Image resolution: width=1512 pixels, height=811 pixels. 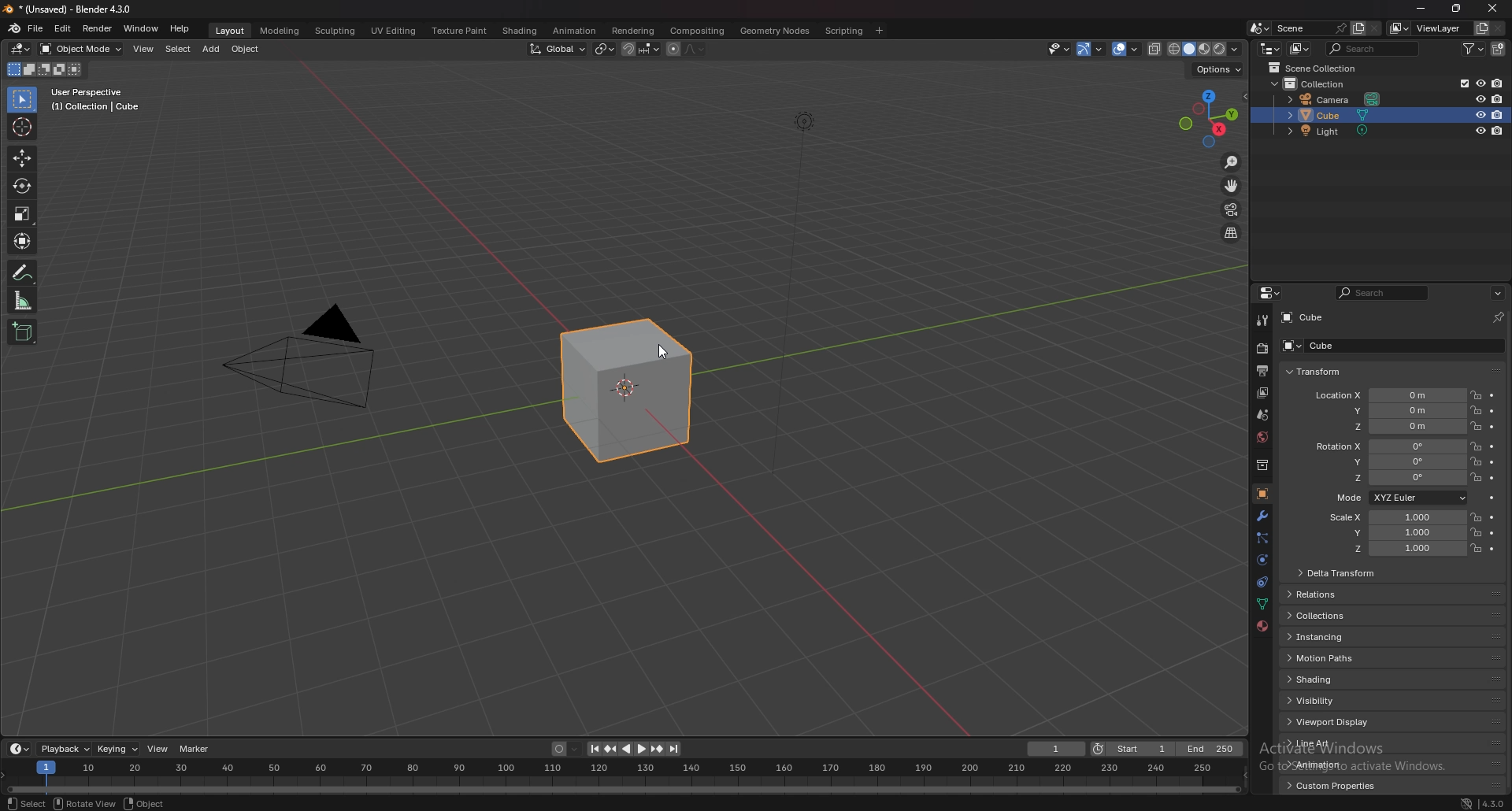 I want to click on jump to keyframe, so click(x=611, y=749).